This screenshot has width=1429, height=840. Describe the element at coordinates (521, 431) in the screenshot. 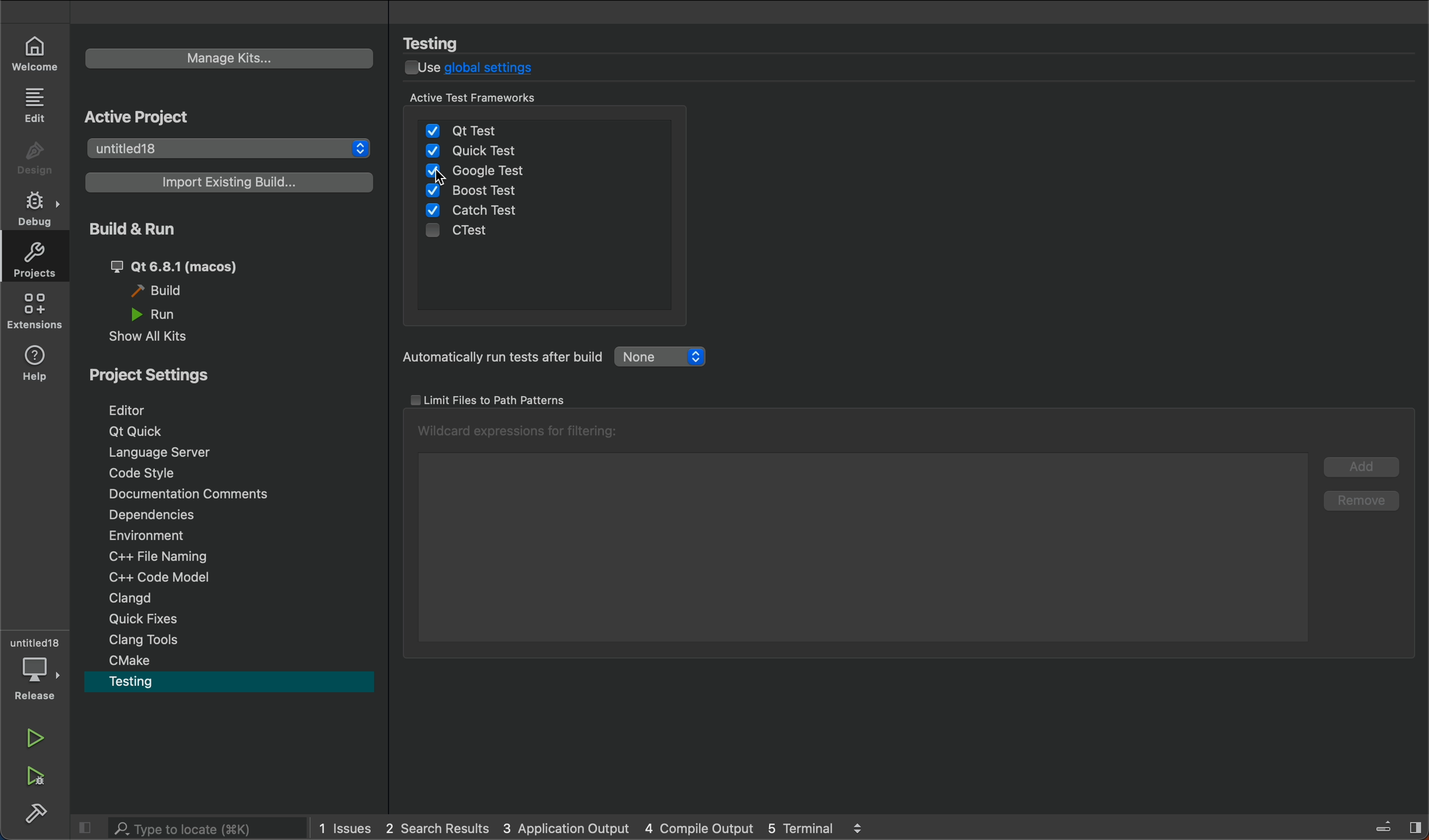

I see `wild cards` at that location.